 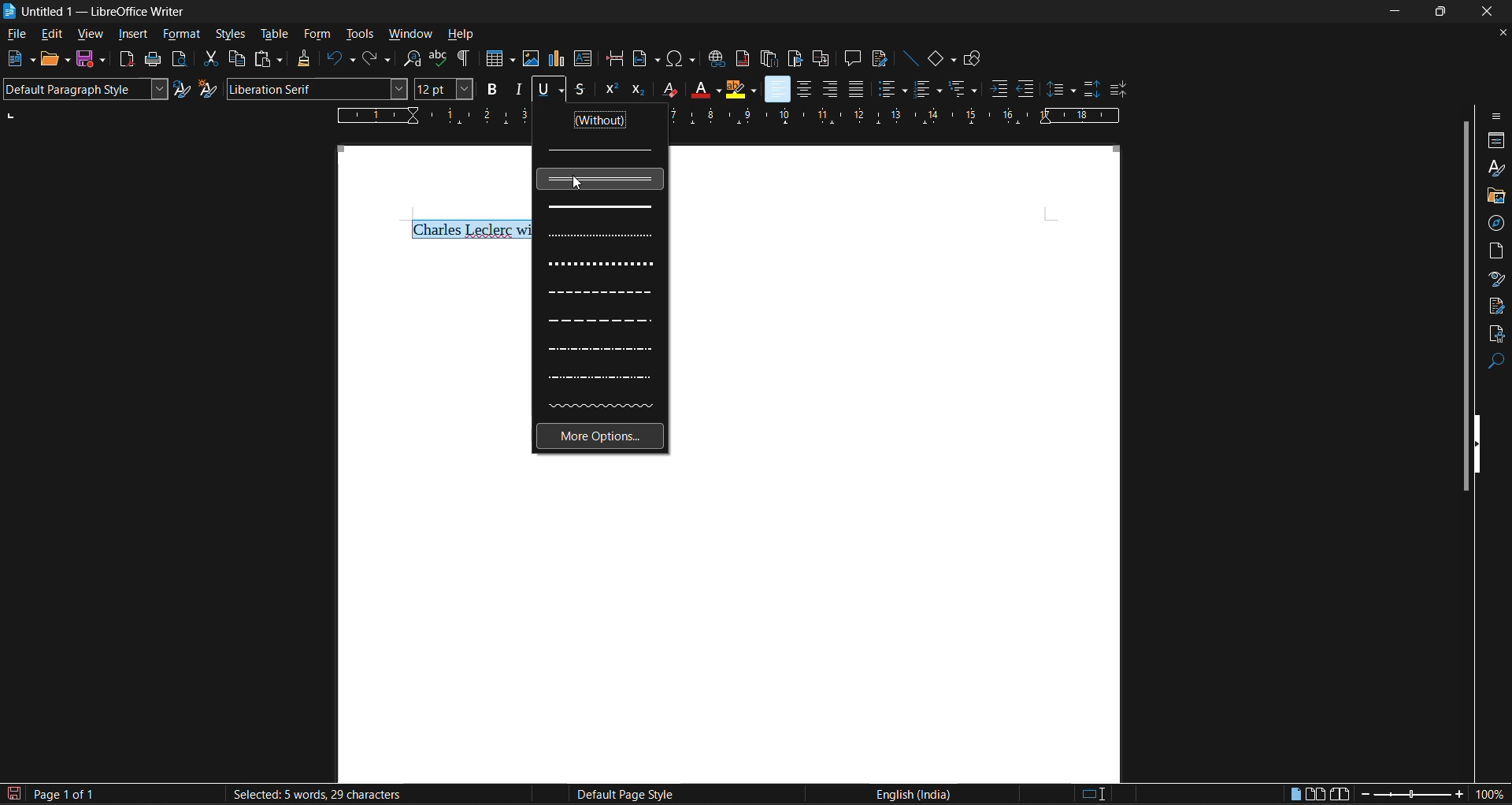 I want to click on multiple page view, so click(x=1315, y=793).